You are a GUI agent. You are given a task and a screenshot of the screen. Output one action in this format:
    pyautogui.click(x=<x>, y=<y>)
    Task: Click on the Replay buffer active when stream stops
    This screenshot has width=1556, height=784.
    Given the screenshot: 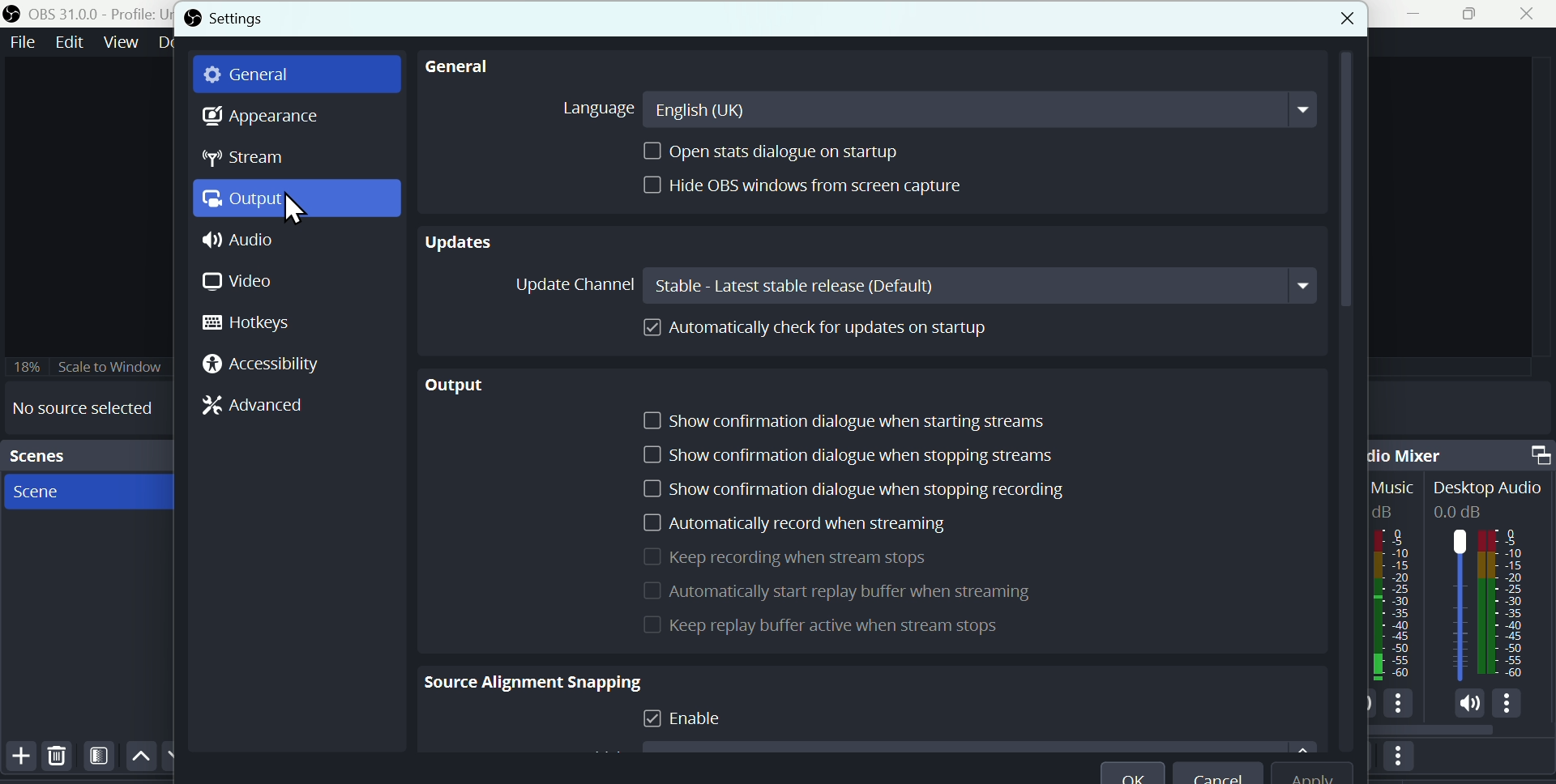 What is the action you would take?
    pyautogui.click(x=811, y=632)
    